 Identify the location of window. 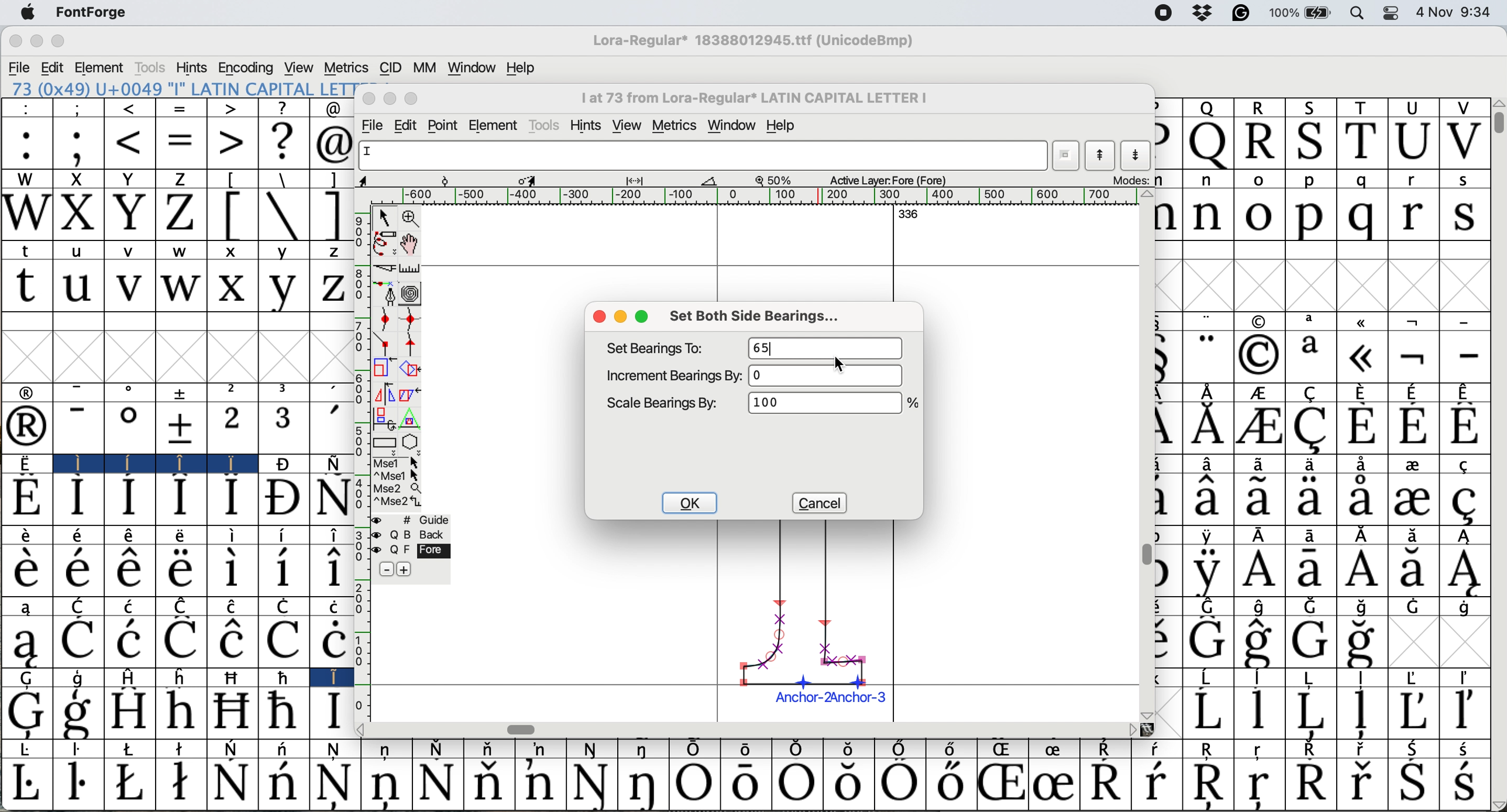
(472, 68).